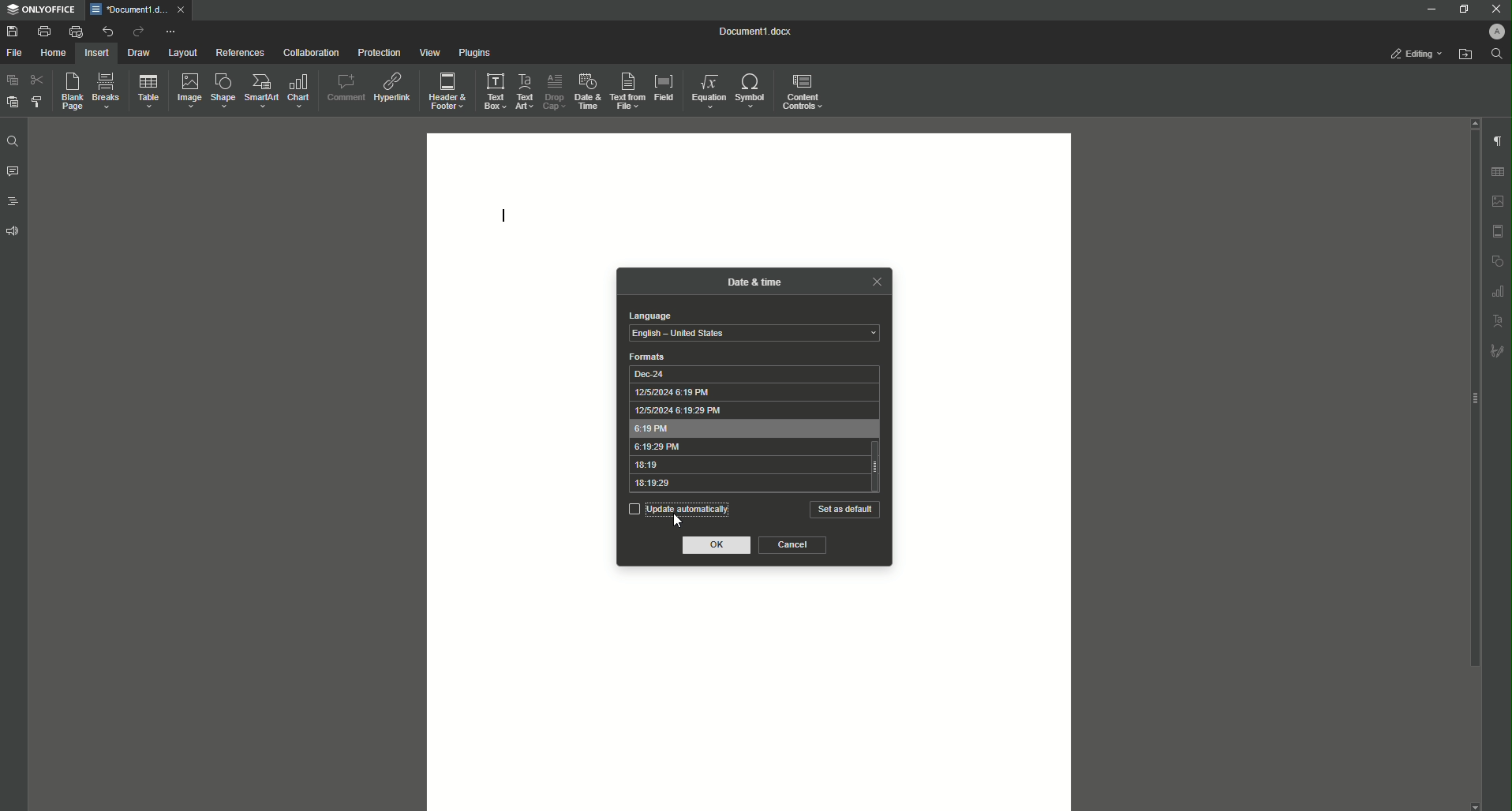 This screenshot has width=1512, height=811. I want to click on 6:19:29 PM, so click(746, 447).